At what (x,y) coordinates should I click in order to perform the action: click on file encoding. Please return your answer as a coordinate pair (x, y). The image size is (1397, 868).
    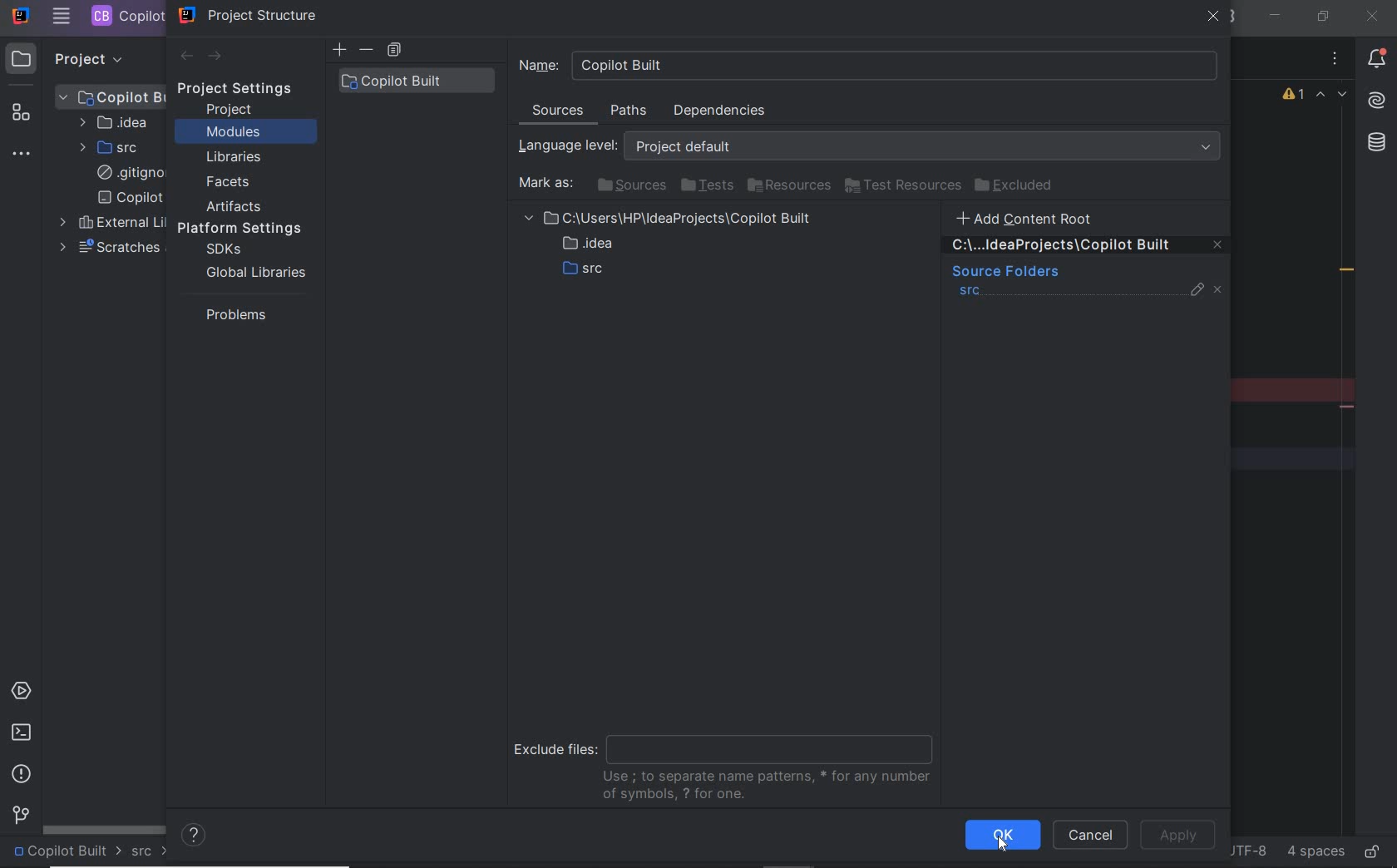
    Looking at the image, I should click on (1246, 850).